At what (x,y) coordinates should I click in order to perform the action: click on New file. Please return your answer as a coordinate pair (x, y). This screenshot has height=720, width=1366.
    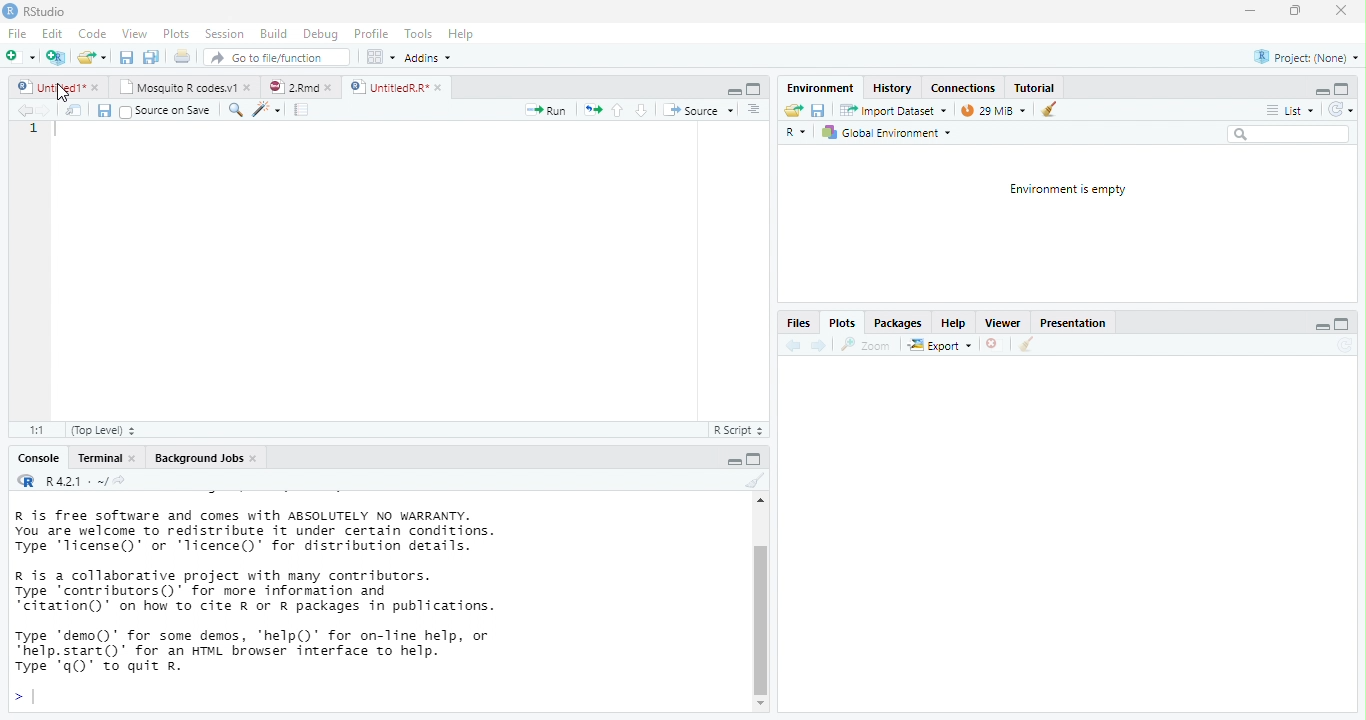
    Looking at the image, I should click on (19, 57).